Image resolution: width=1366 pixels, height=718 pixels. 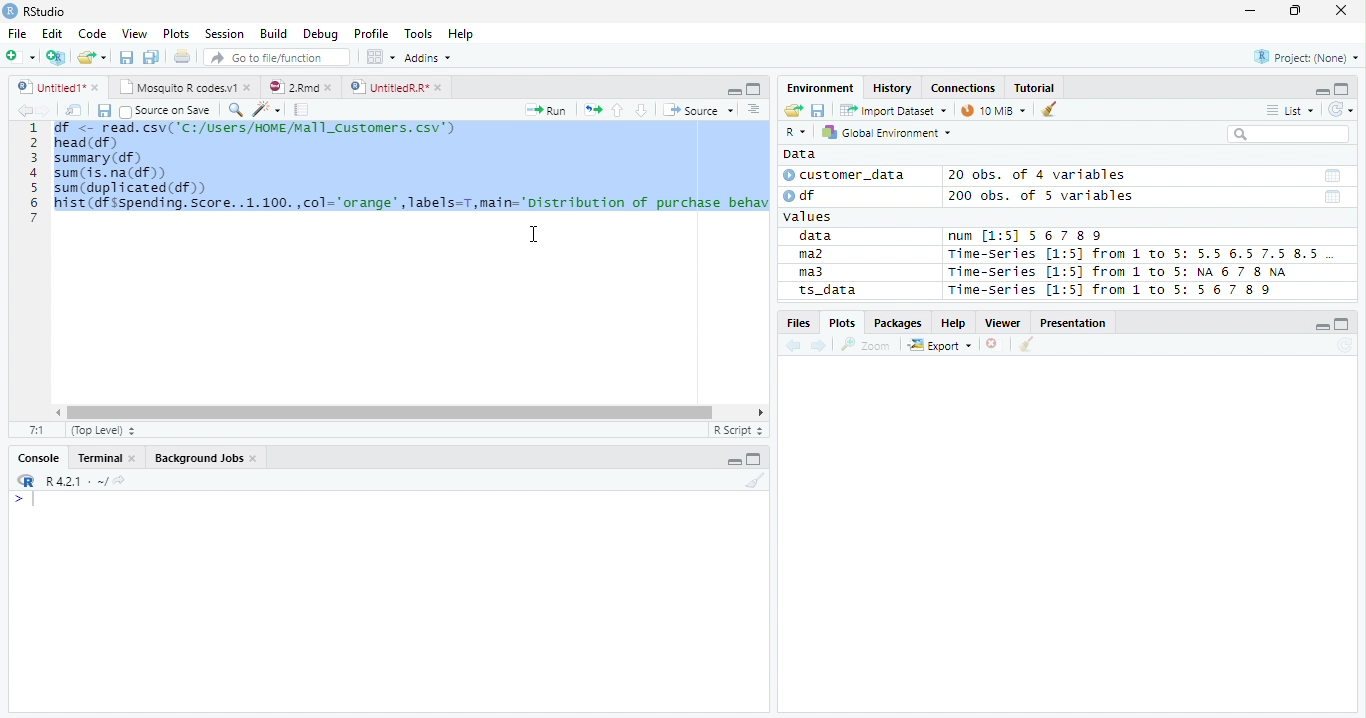 I want to click on File, so click(x=16, y=33).